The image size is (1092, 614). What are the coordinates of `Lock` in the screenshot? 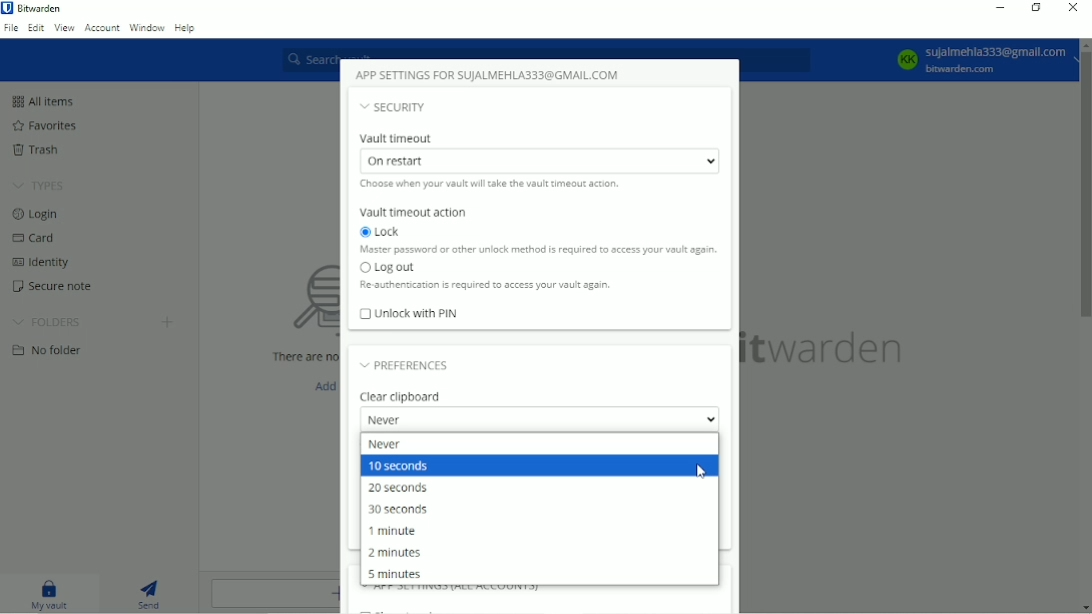 It's located at (384, 232).